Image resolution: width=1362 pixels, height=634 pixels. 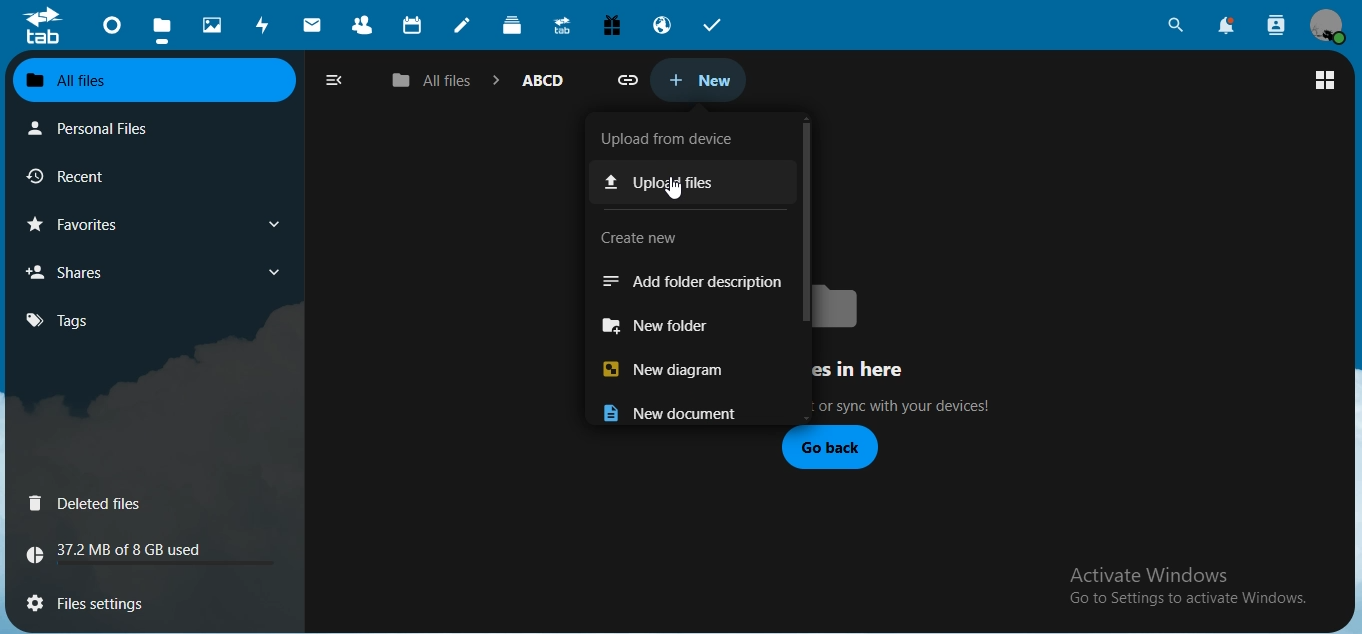 I want to click on icon, so click(x=42, y=26).